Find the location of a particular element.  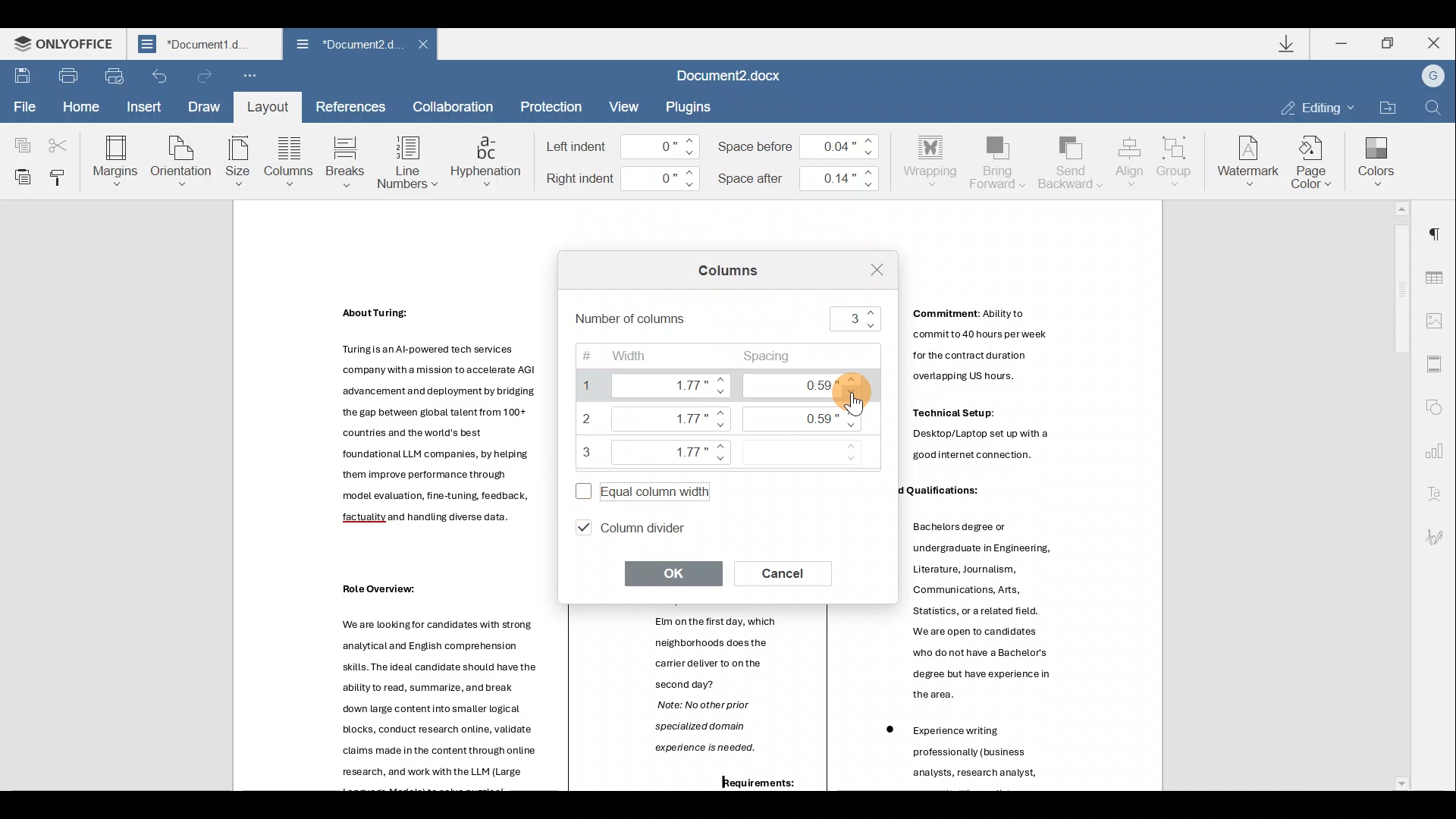

Header & footer settings is located at coordinates (1438, 368).